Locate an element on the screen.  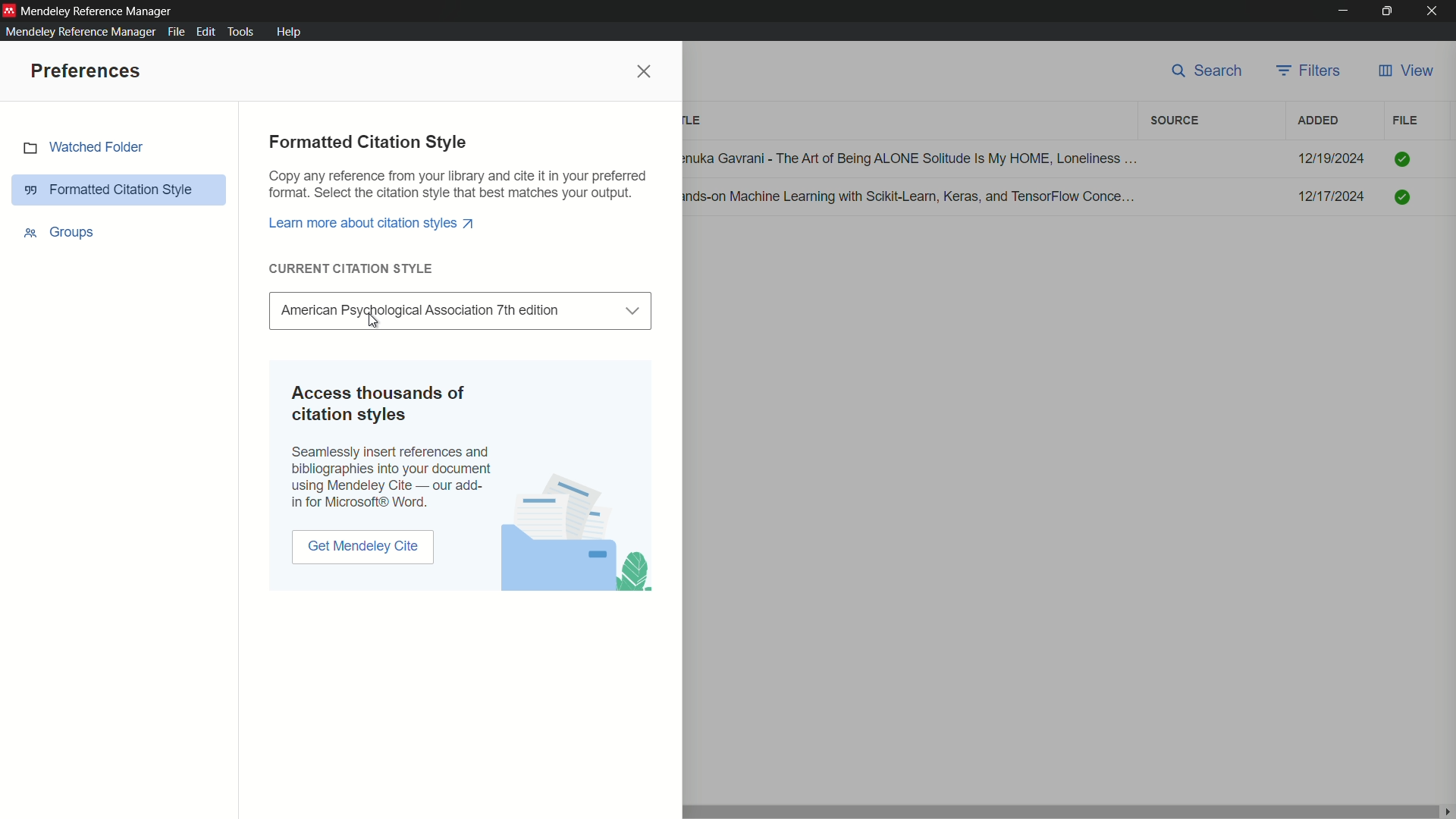
file is located at coordinates (1405, 121).